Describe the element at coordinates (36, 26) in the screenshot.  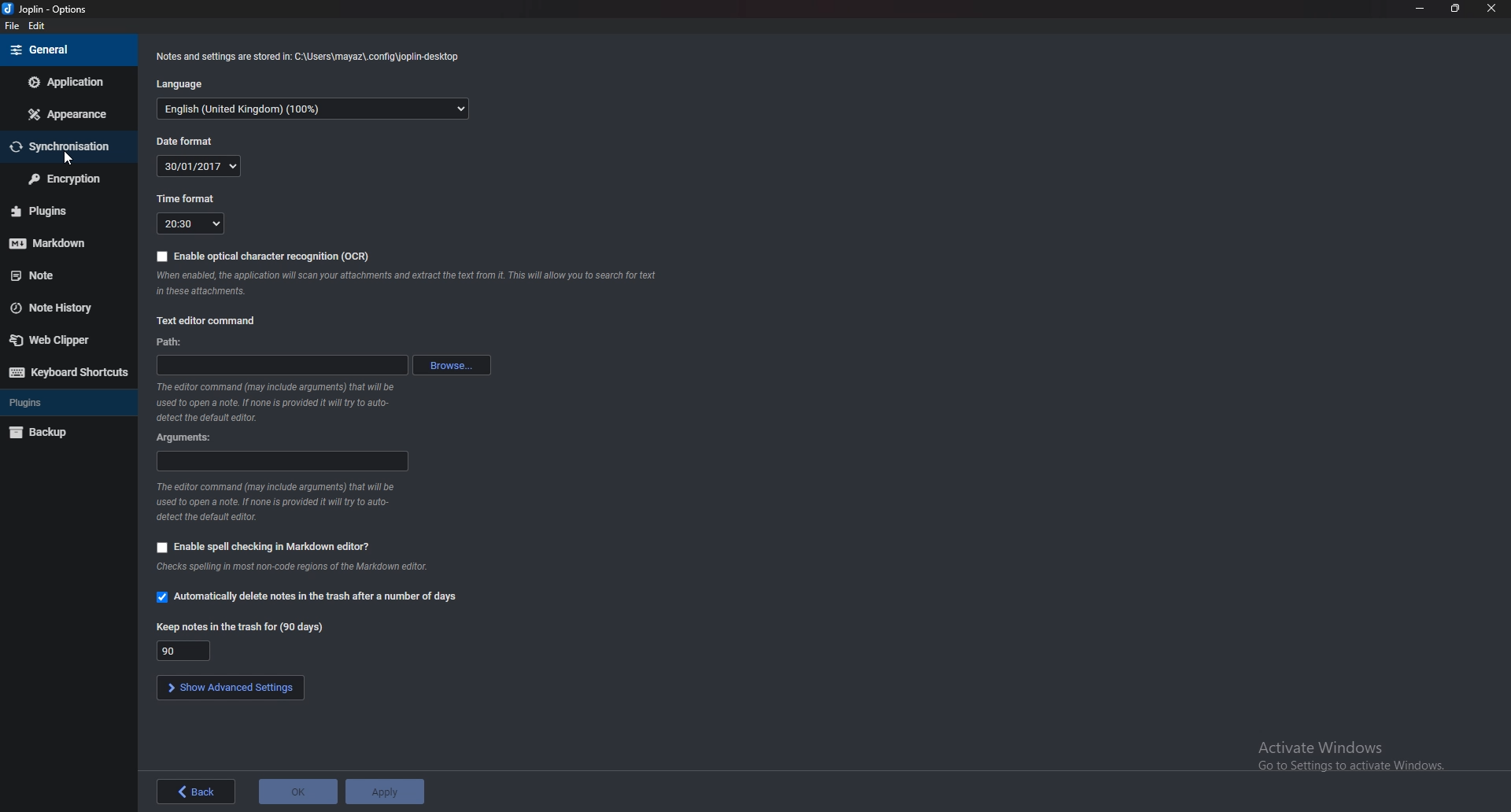
I see `edit` at that location.